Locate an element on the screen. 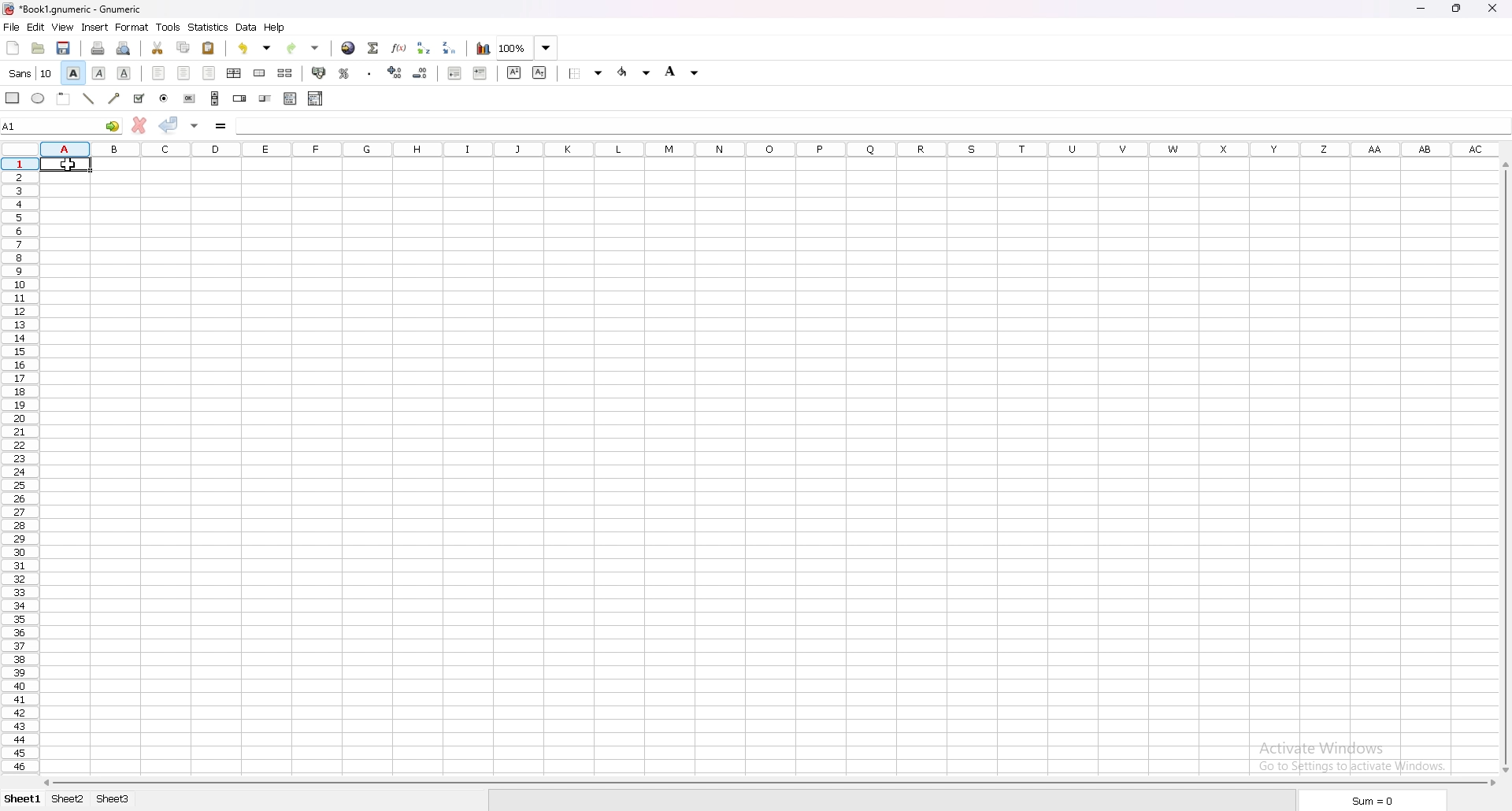  list is located at coordinates (290, 98).